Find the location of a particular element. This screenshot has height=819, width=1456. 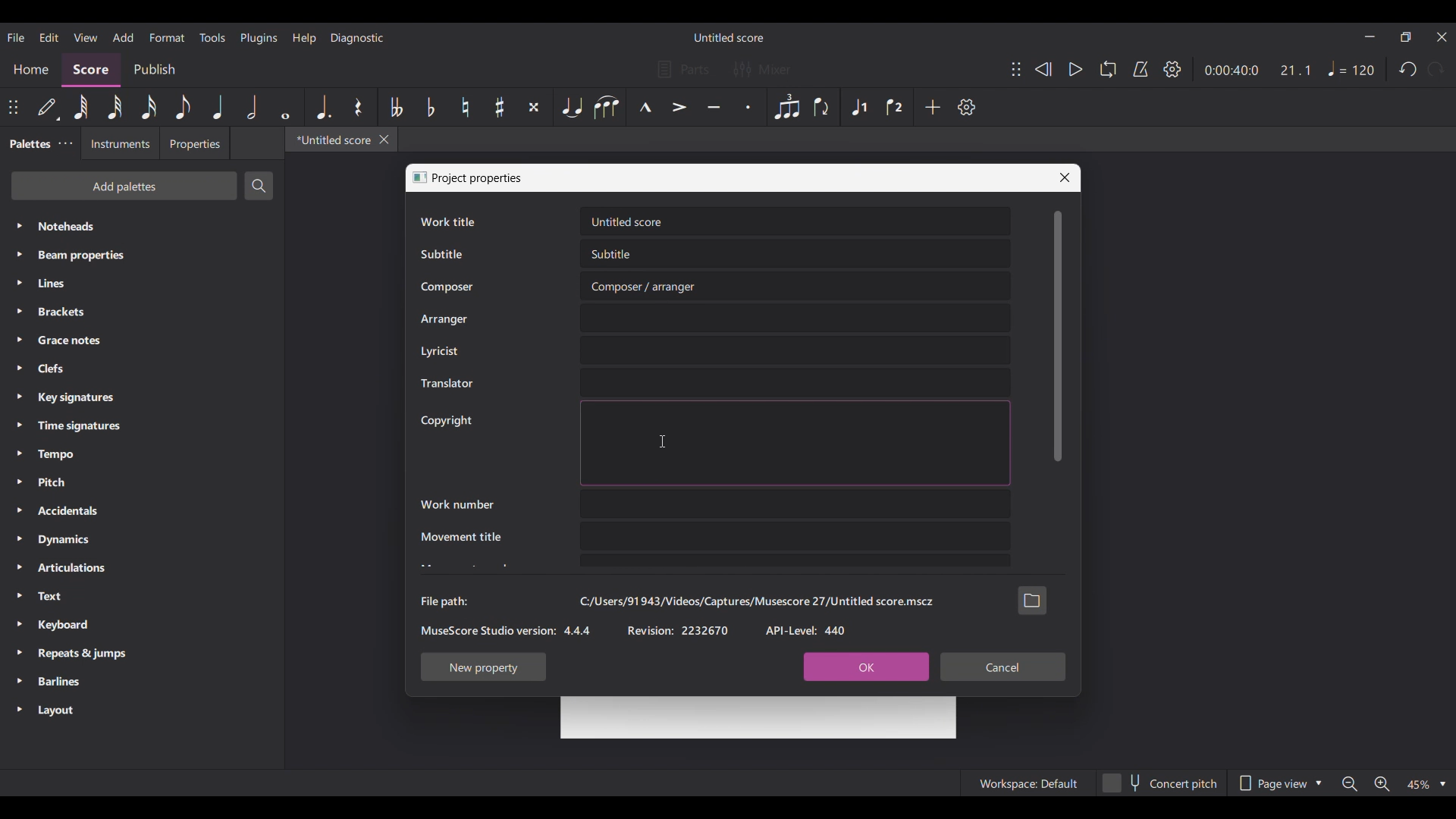

Project properties is located at coordinates (479, 178).